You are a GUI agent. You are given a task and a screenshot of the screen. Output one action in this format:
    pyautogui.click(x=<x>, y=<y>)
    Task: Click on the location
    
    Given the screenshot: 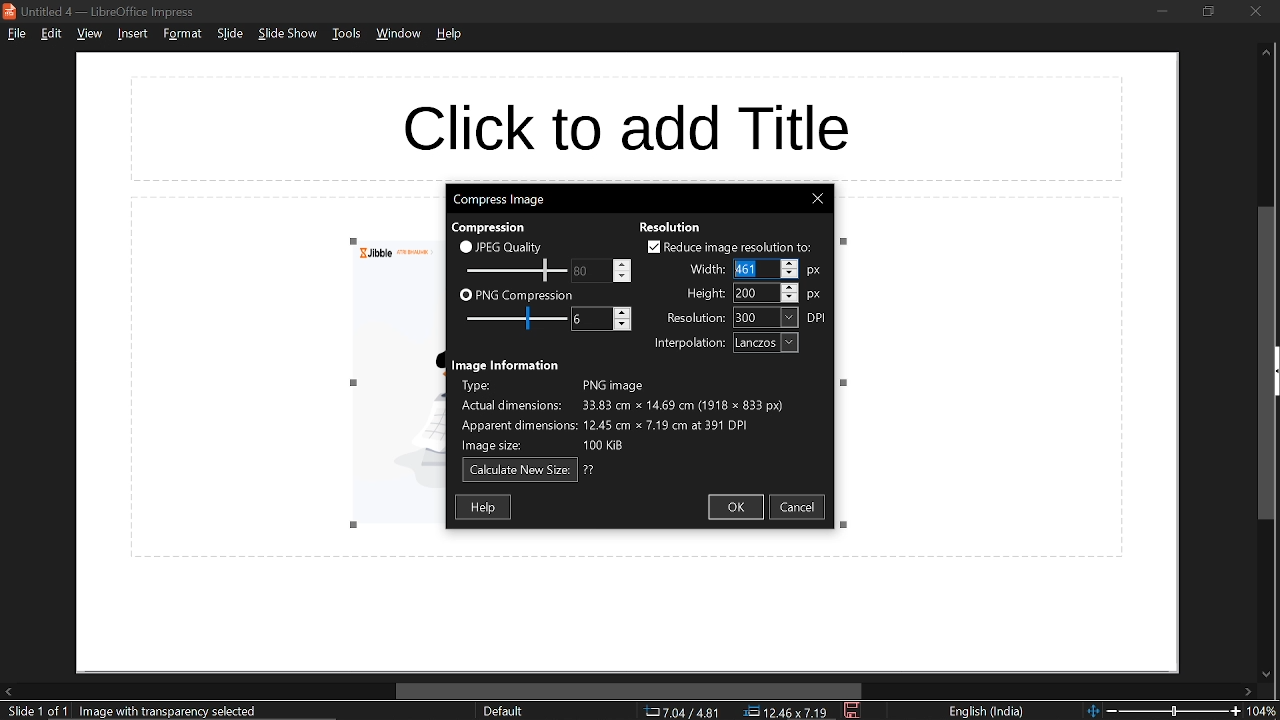 What is the action you would take?
    pyautogui.click(x=789, y=712)
    